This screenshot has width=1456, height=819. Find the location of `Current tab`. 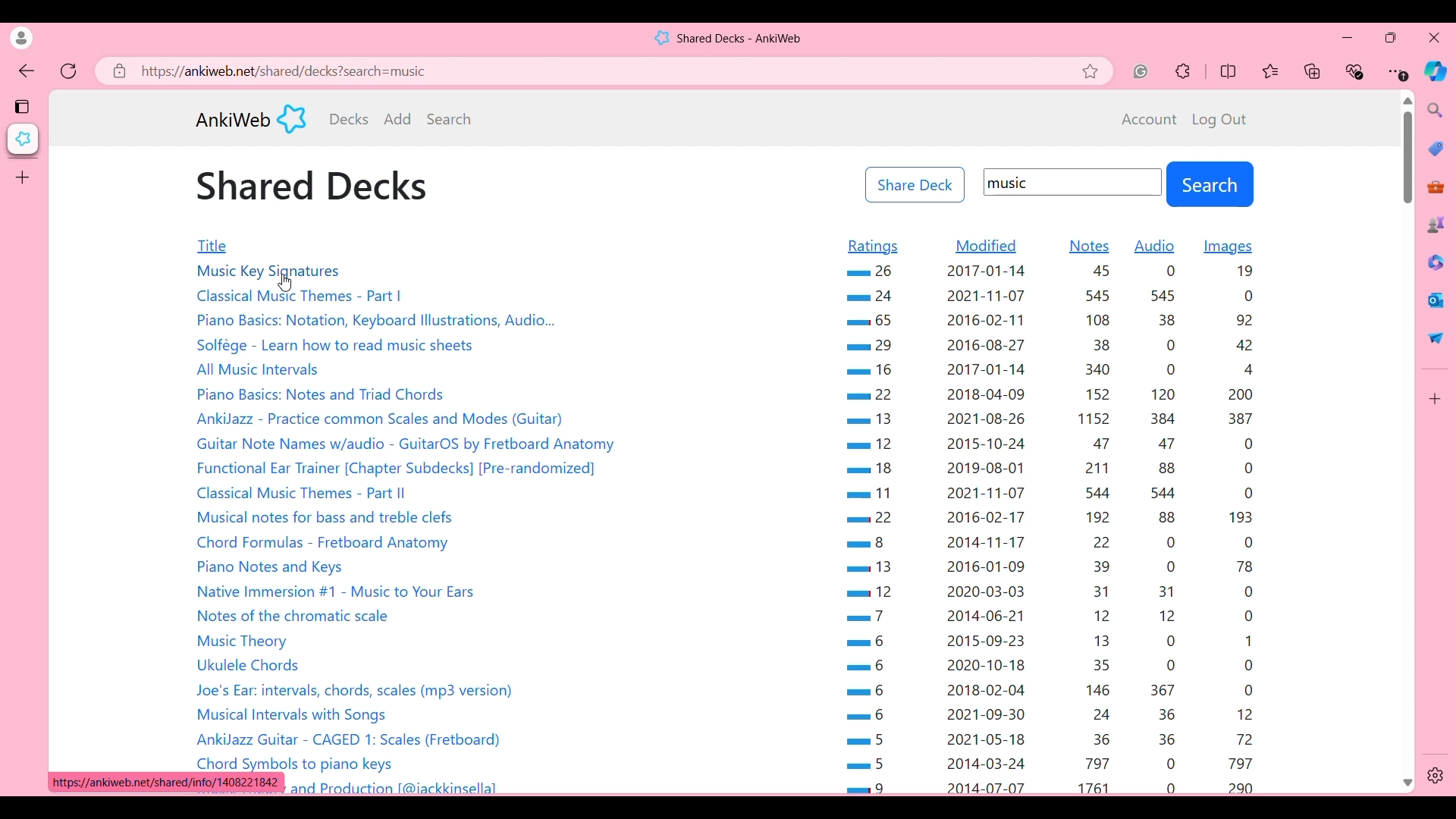

Current tab is located at coordinates (24, 139).